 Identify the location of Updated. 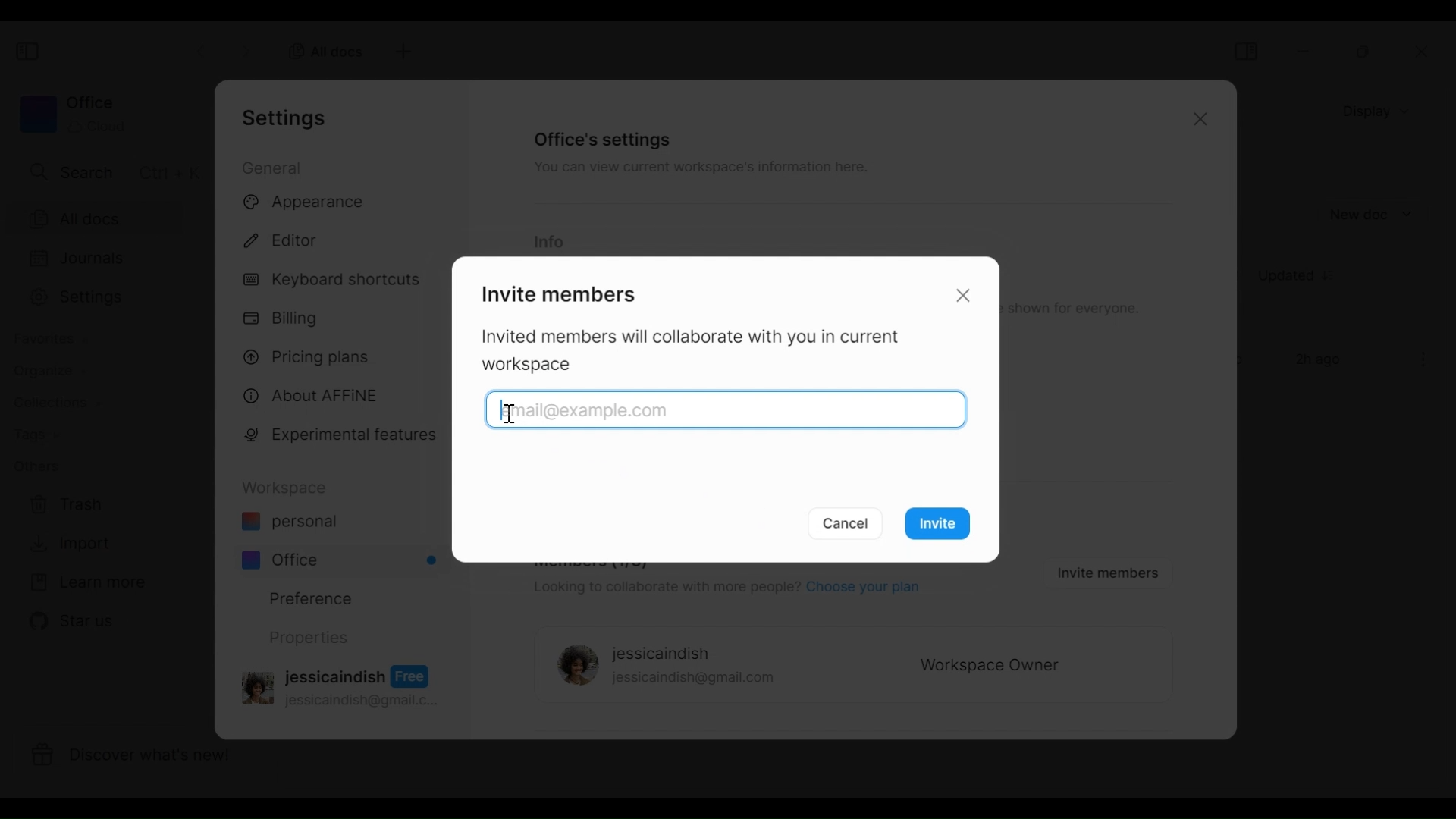
(1302, 278).